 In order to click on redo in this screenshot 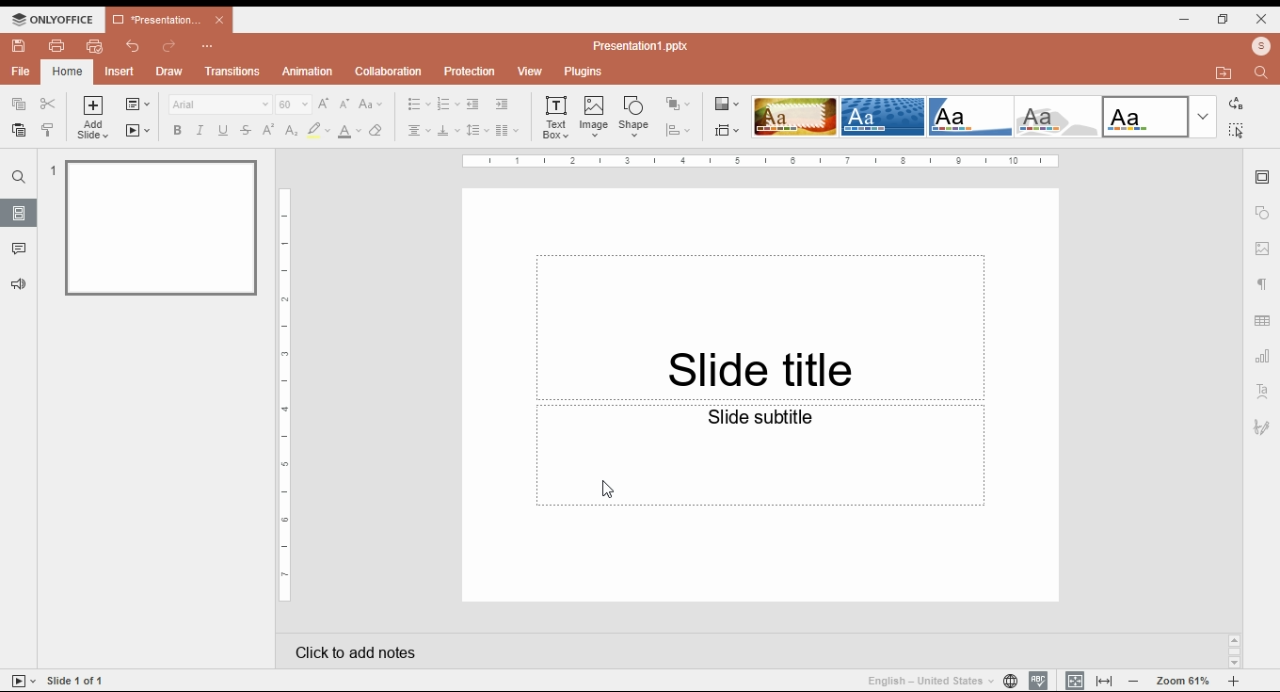, I will do `click(170, 47)`.